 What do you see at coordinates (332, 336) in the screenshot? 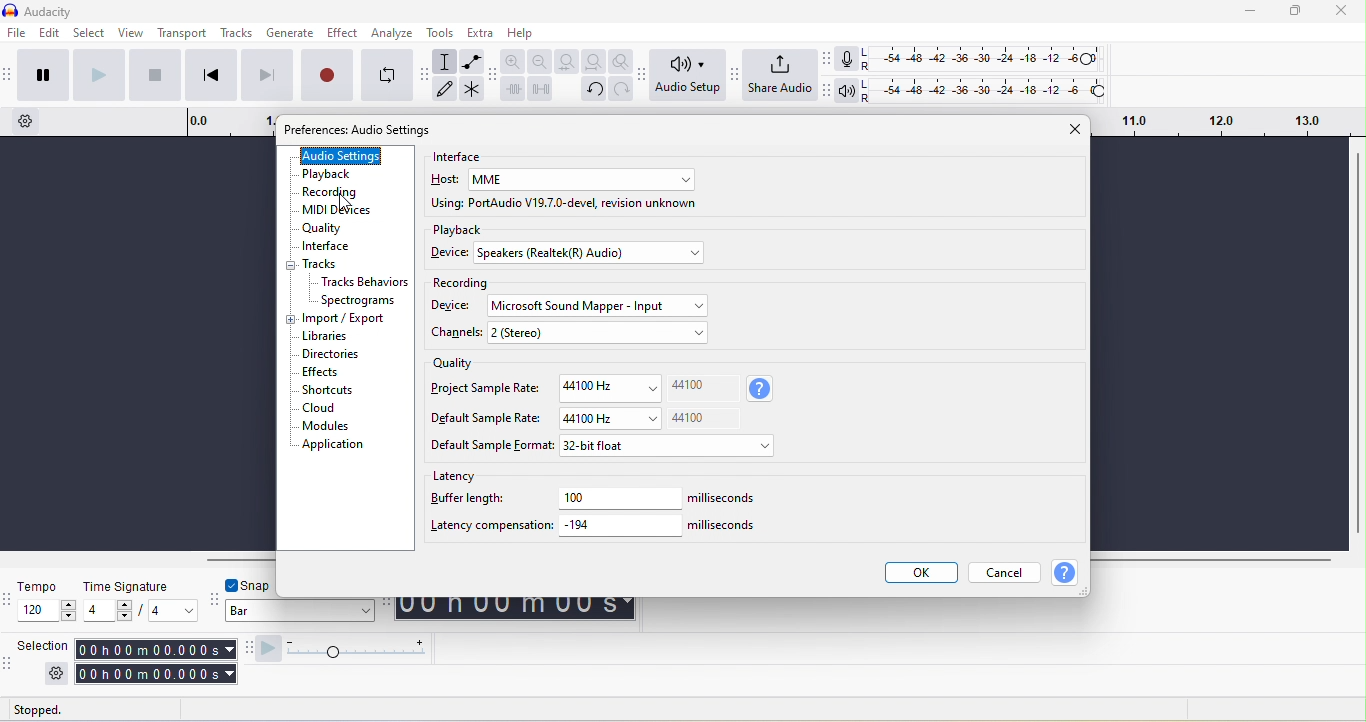
I see `libraries` at bounding box center [332, 336].